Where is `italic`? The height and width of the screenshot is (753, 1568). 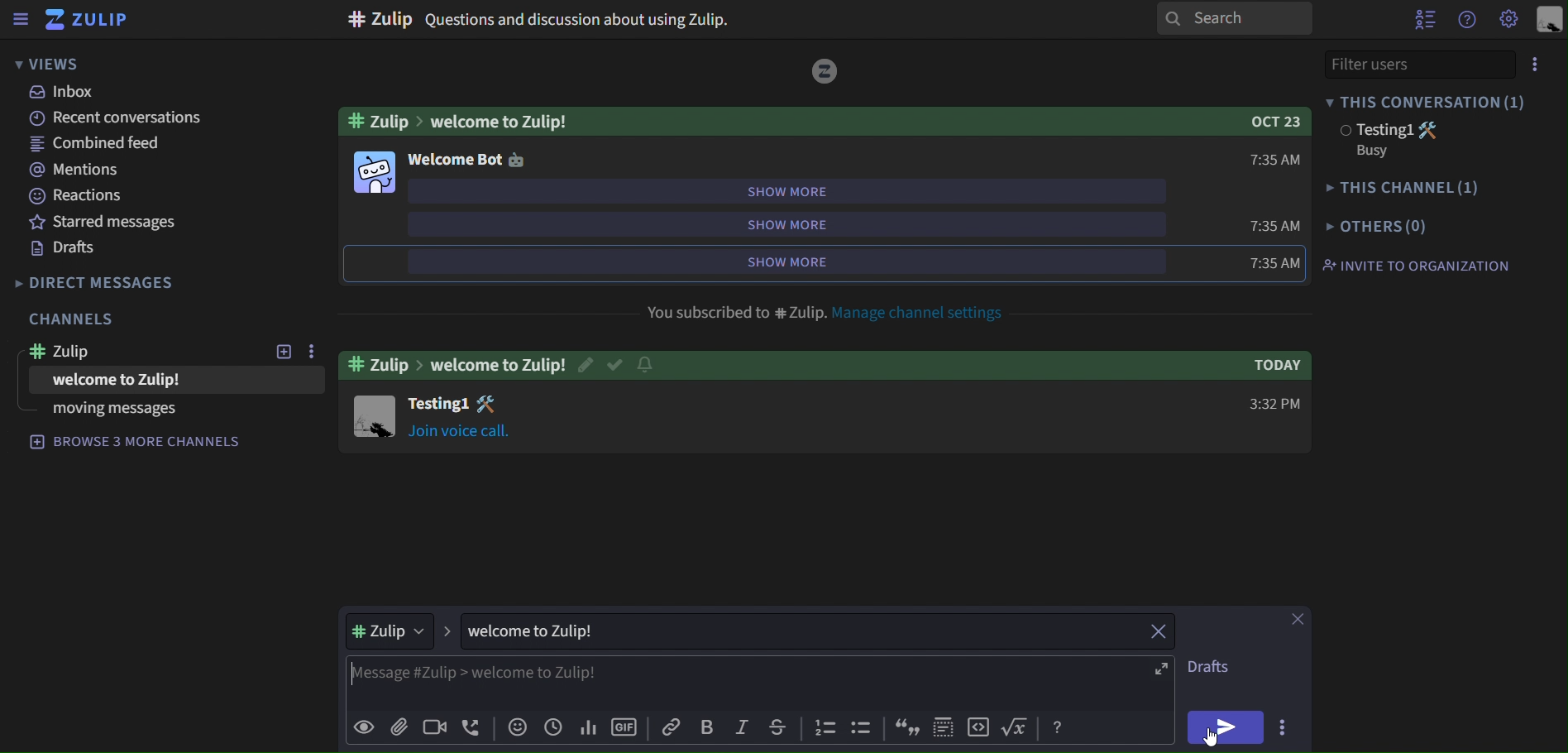
italic is located at coordinates (743, 728).